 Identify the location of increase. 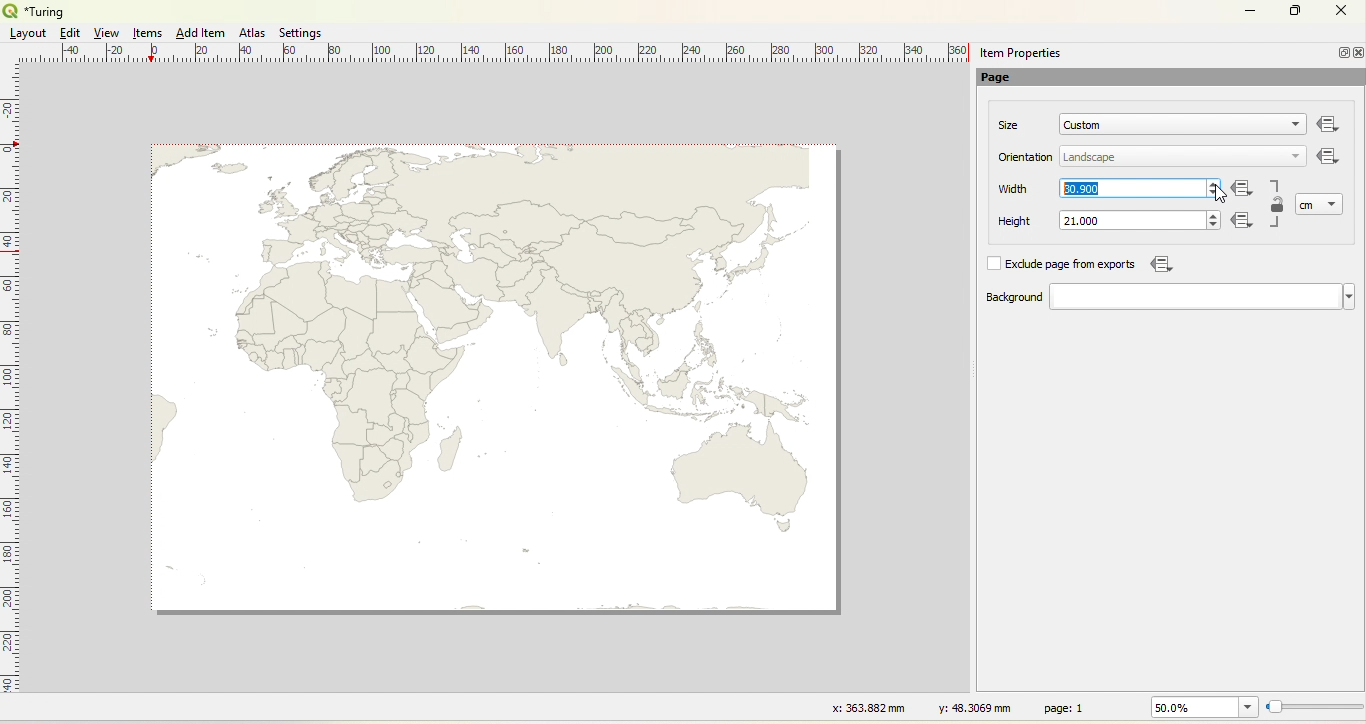
(1215, 182).